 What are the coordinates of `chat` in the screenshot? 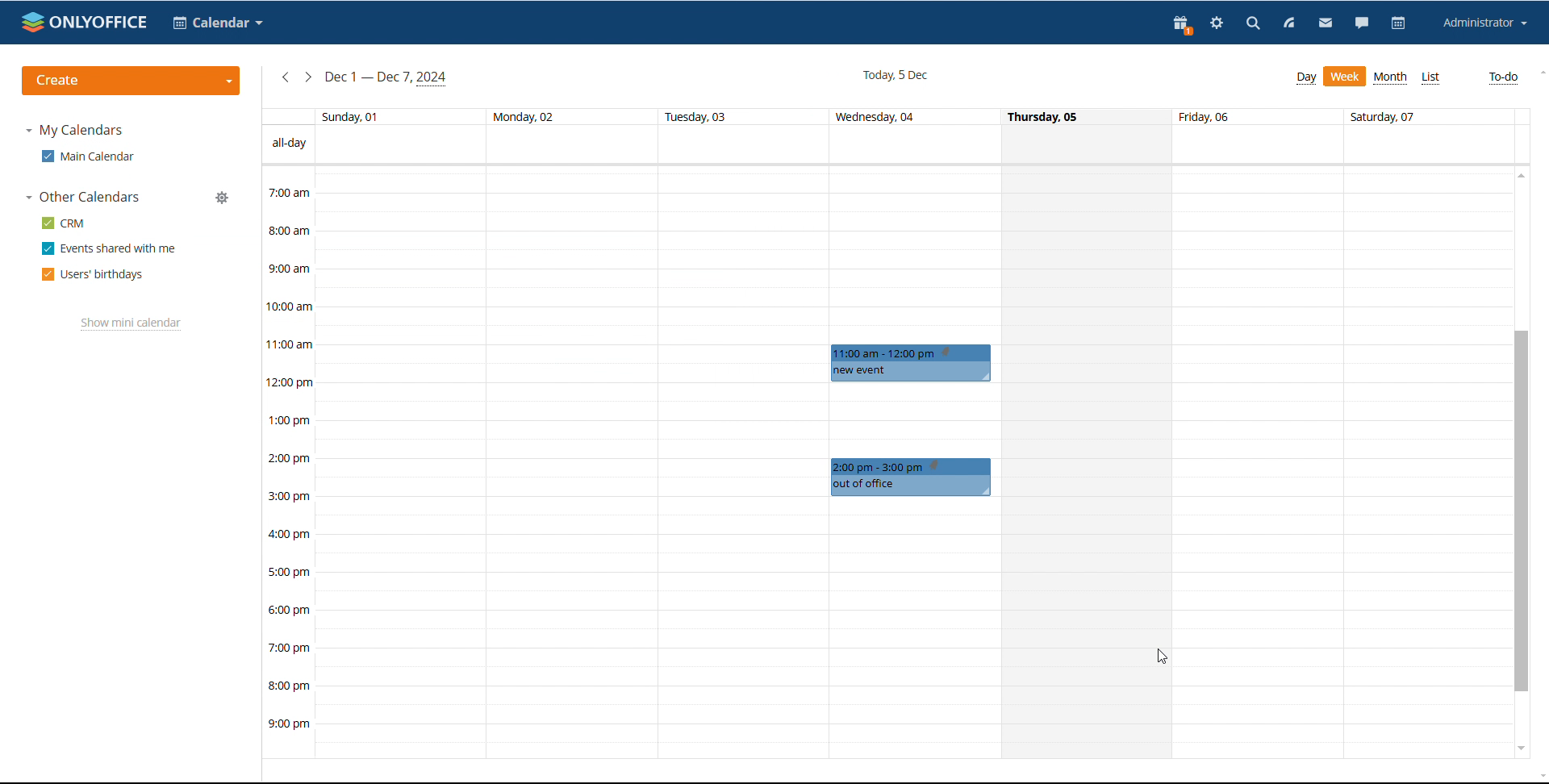 It's located at (1362, 25).